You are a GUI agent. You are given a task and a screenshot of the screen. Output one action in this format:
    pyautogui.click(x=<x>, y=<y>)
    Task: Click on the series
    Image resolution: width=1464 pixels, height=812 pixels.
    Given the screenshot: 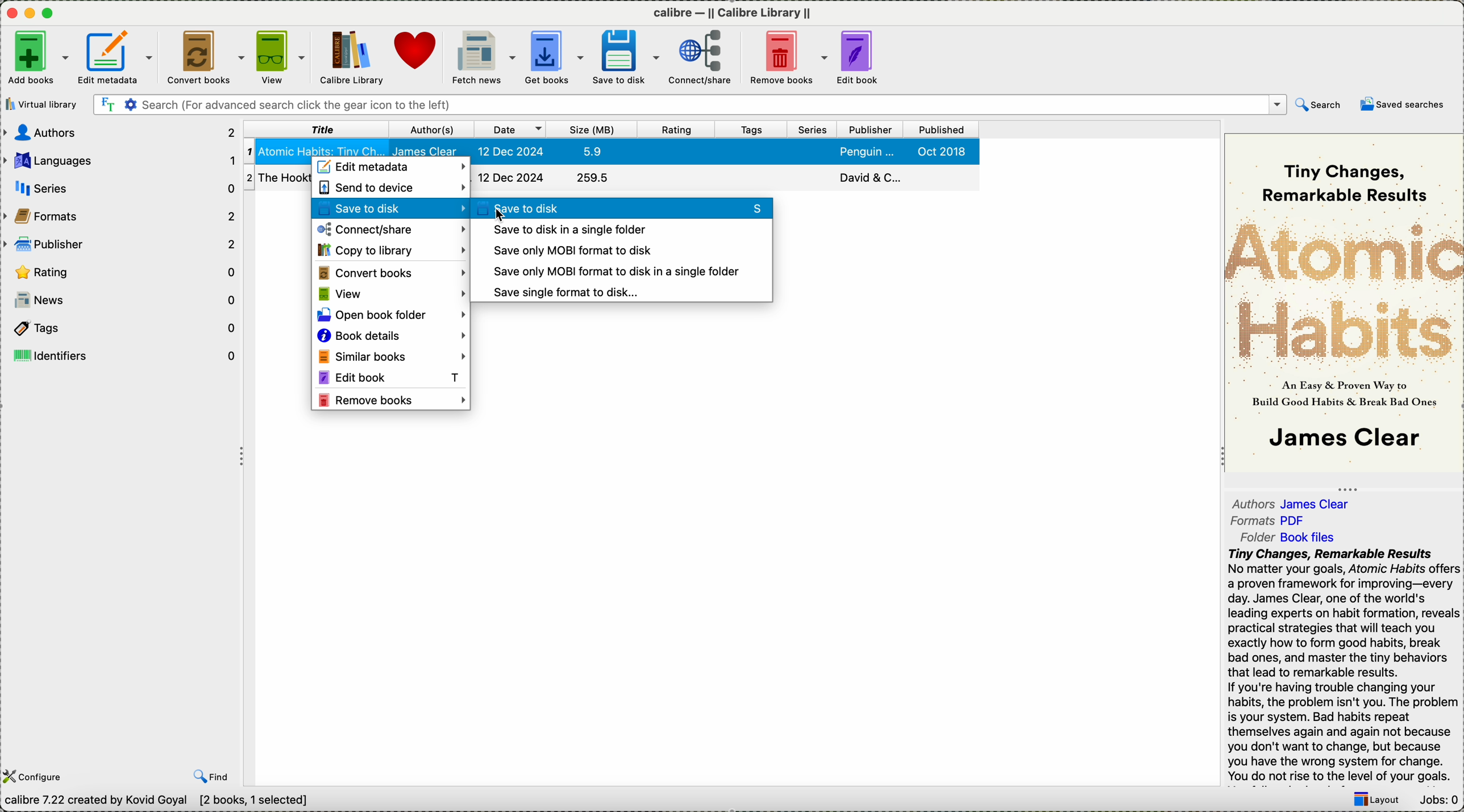 What is the action you would take?
    pyautogui.click(x=810, y=129)
    